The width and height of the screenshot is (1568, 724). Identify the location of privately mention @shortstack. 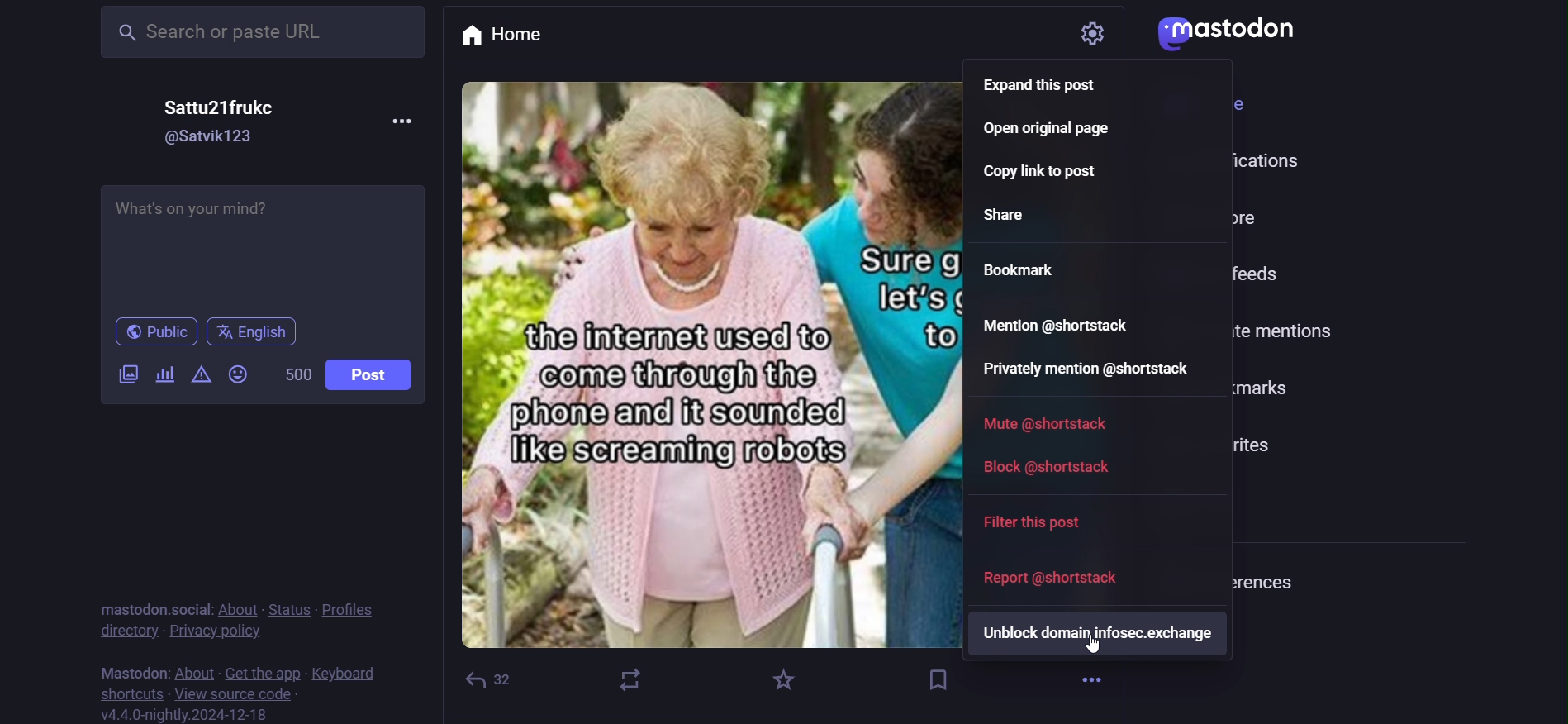
(1091, 369).